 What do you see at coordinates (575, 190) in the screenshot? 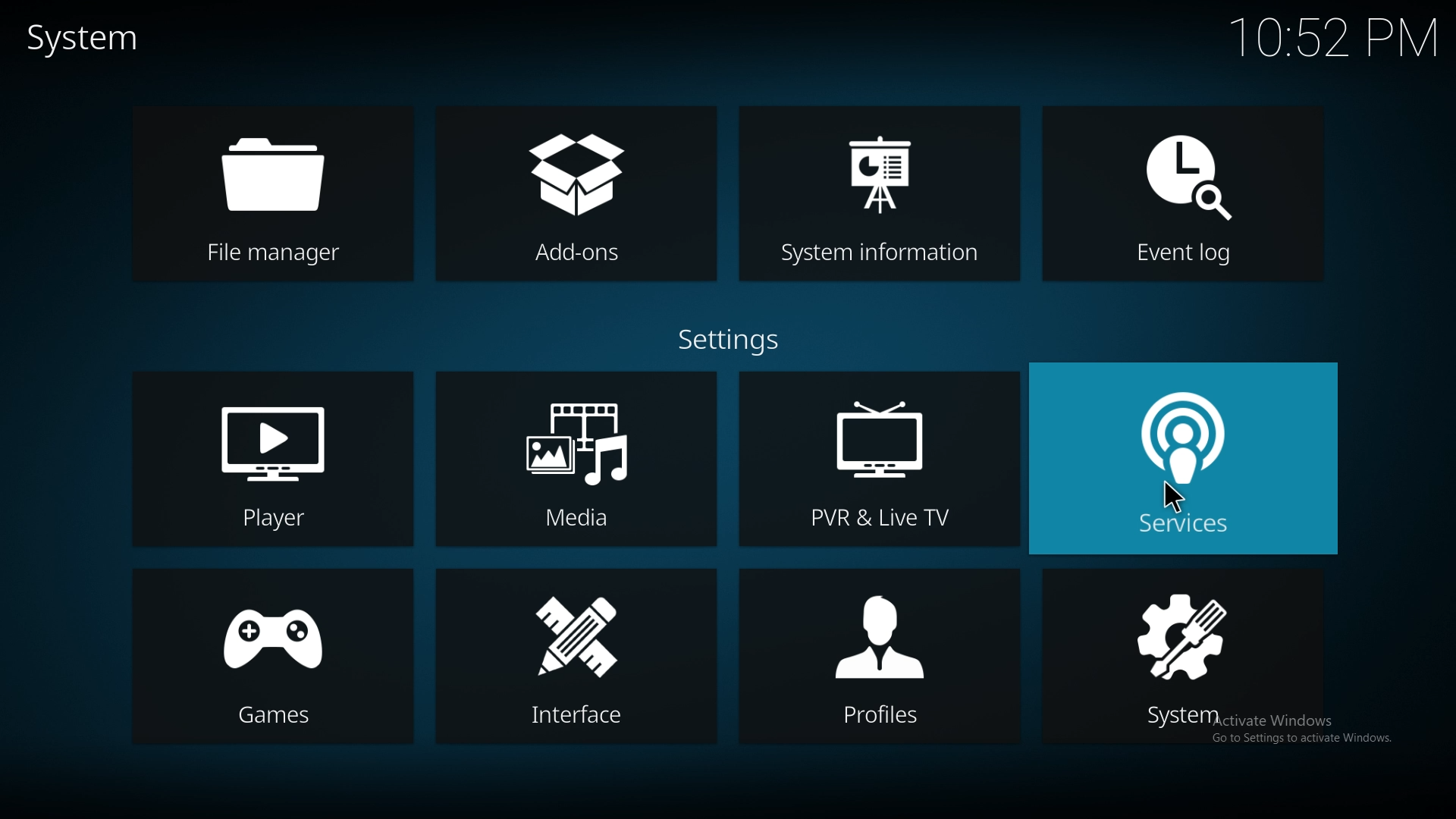
I see `add ons` at bounding box center [575, 190].